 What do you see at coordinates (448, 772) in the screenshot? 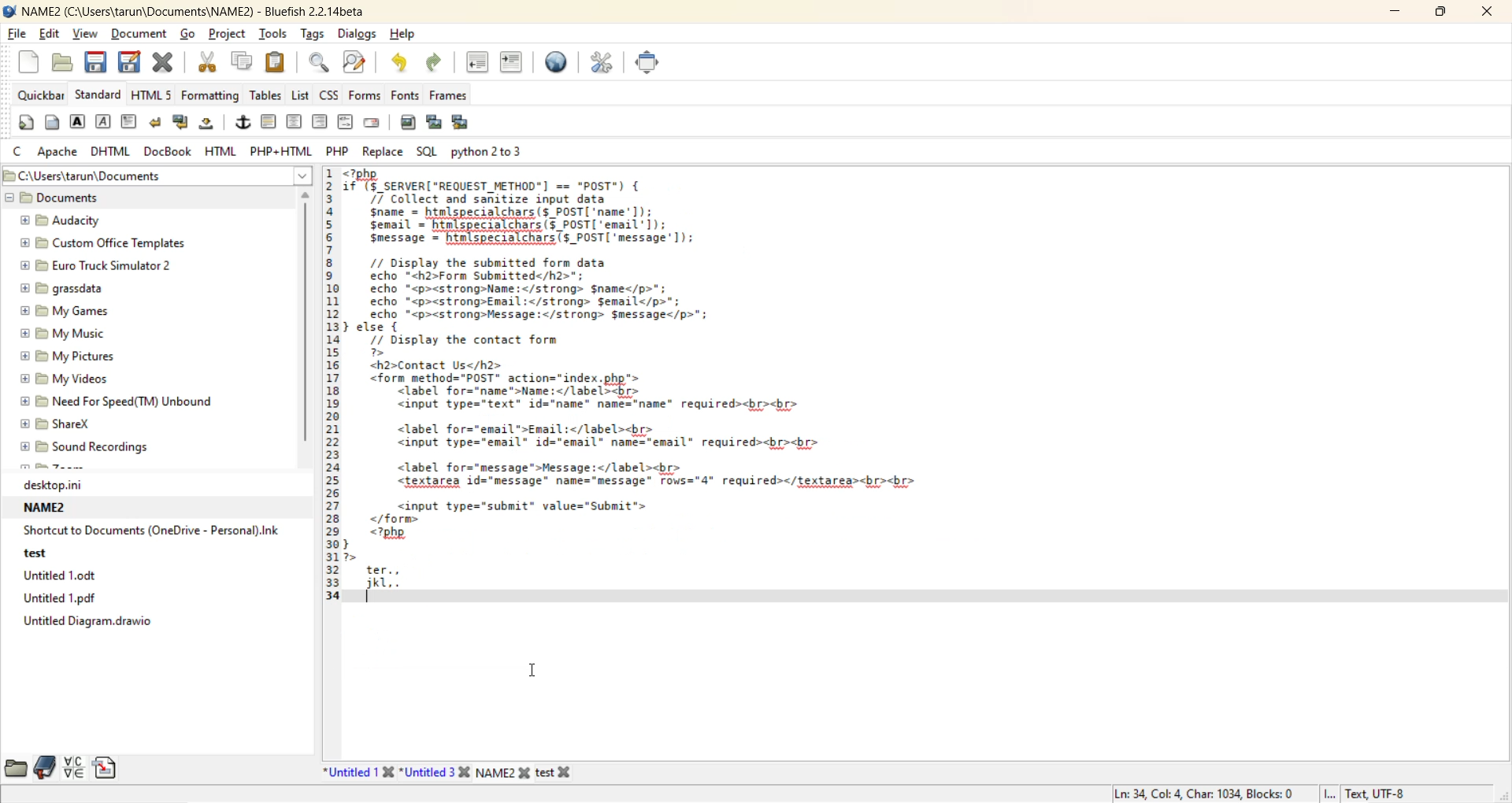
I see `file names` at bounding box center [448, 772].